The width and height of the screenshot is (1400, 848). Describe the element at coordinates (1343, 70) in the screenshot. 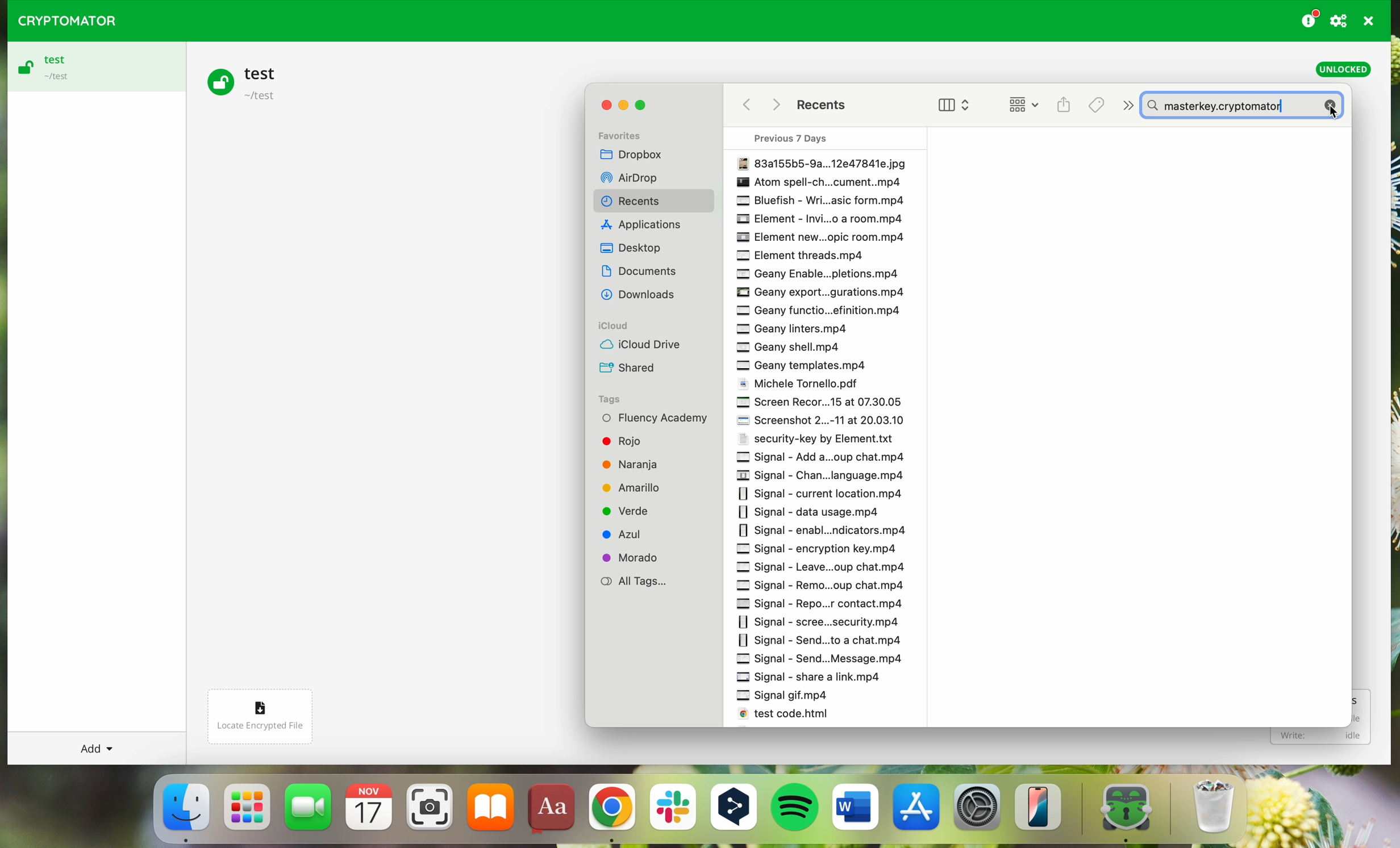

I see `unlocked` at that location.